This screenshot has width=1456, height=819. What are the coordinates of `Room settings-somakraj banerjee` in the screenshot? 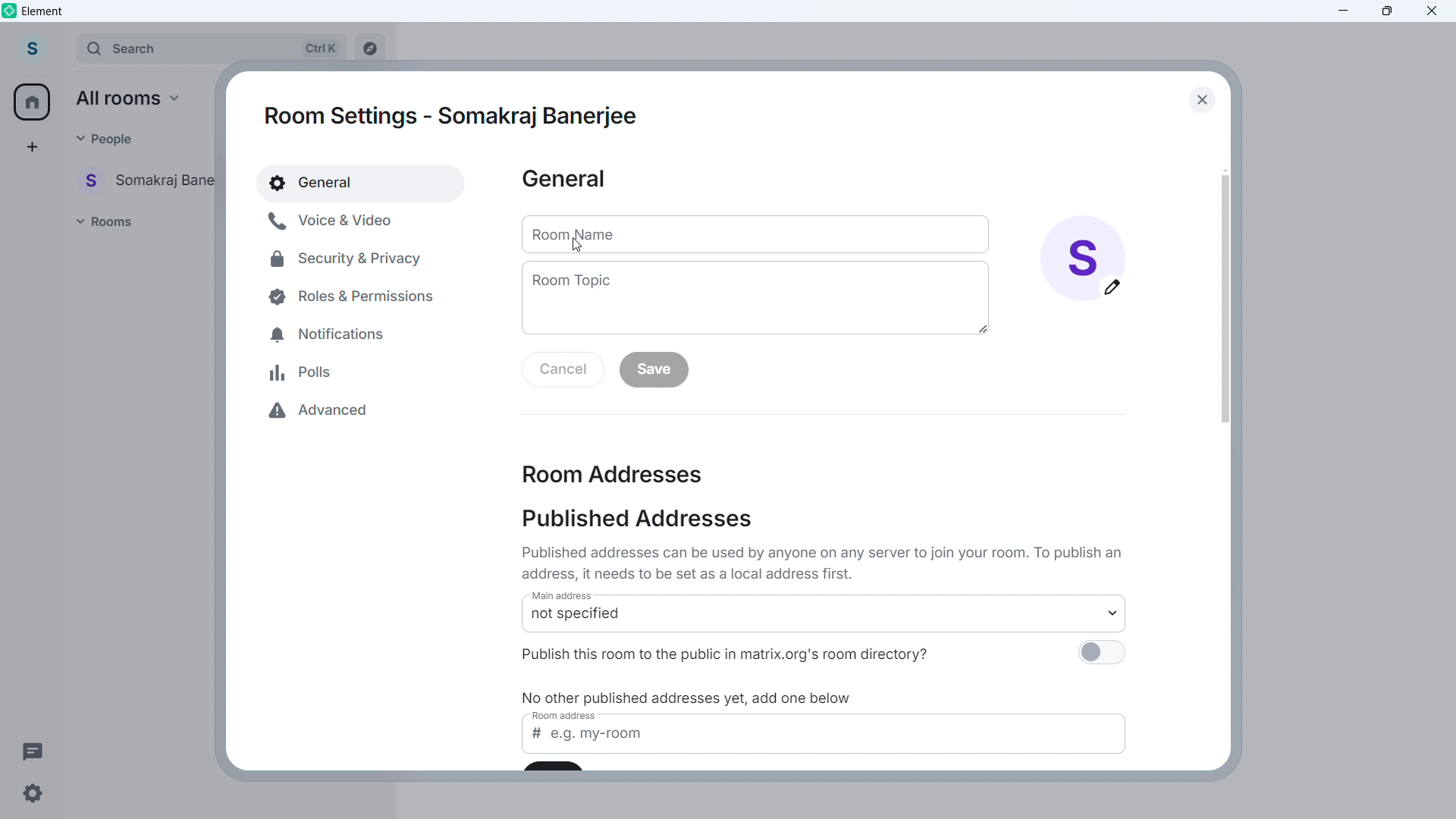 It's located at (454, 116).